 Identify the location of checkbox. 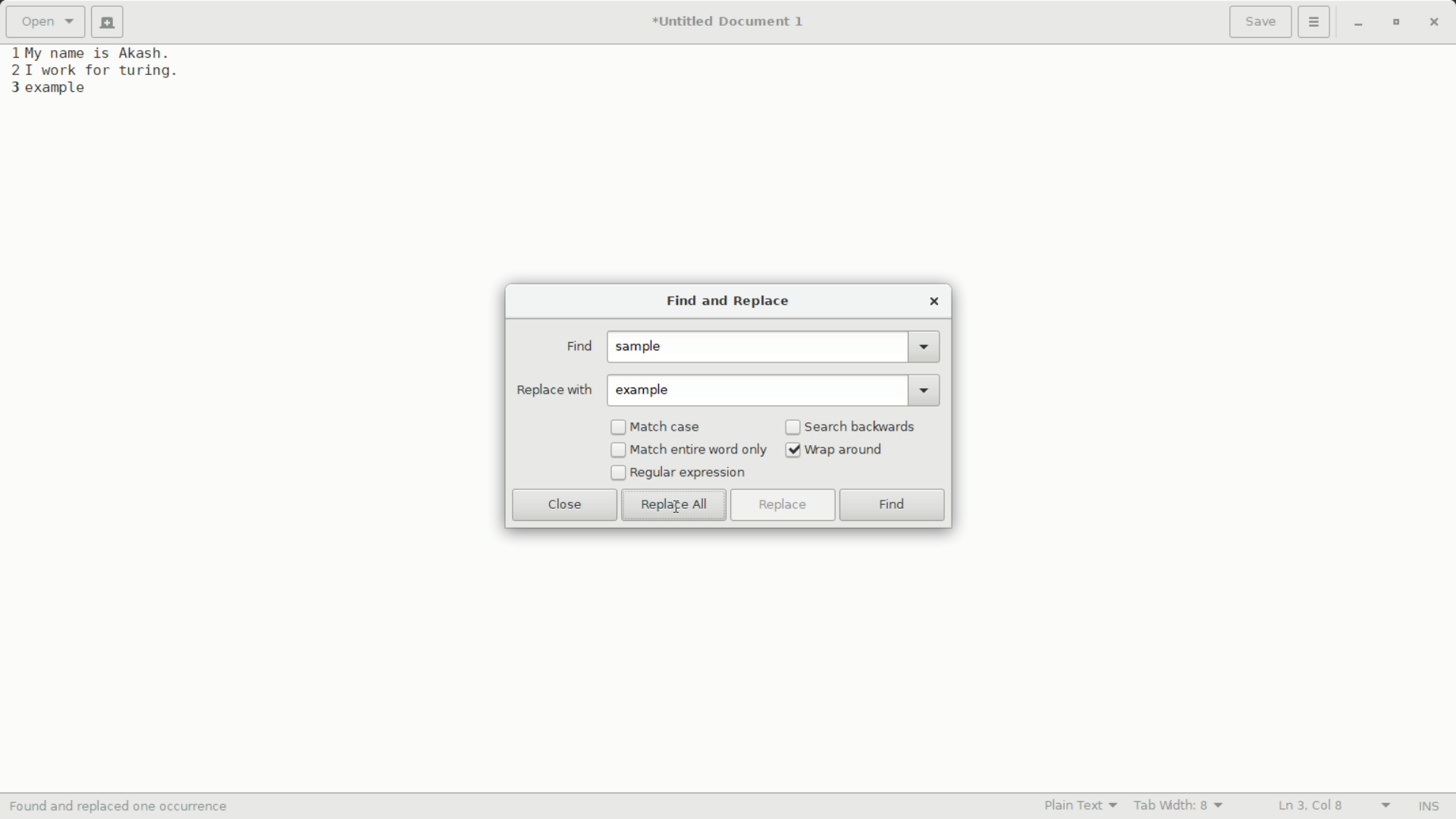
(793, 428).